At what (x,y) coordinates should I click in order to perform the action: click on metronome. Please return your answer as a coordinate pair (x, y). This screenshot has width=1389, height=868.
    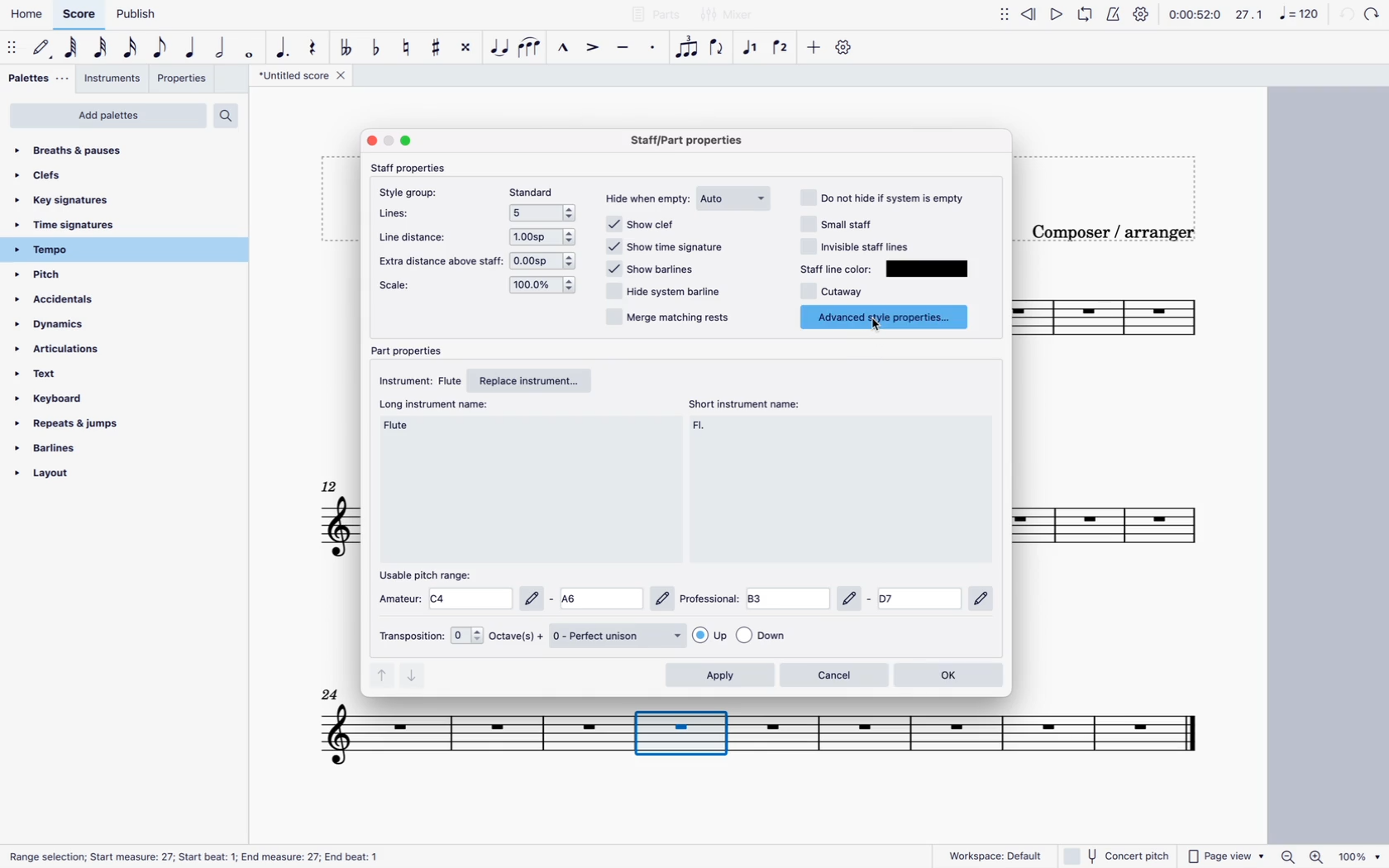
    Looking at the image, I should click on (1117, 13).